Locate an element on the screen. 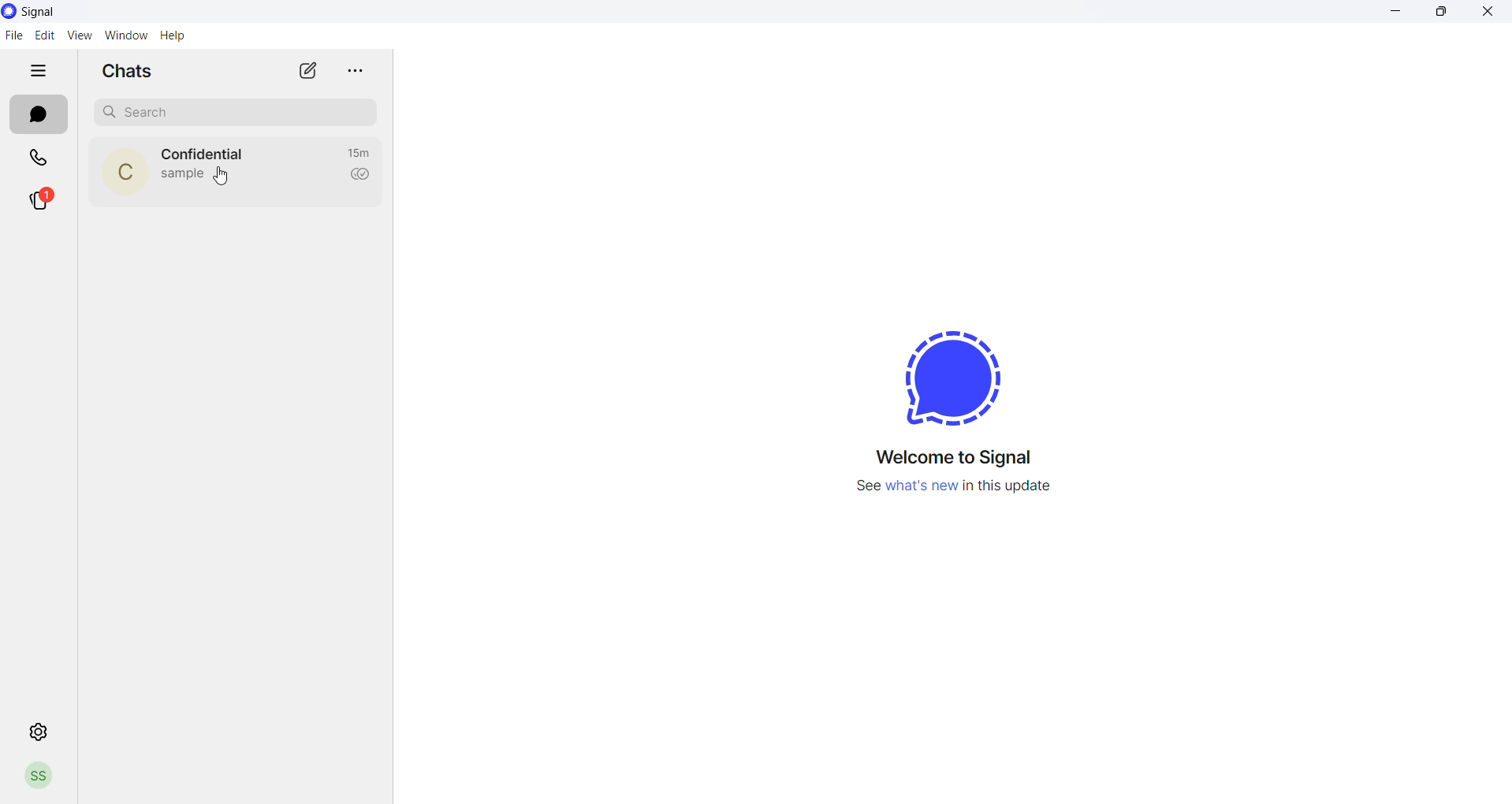 The width and height of the screenshot is (1512, 804). signal logo is located at coordinates (945, 379).